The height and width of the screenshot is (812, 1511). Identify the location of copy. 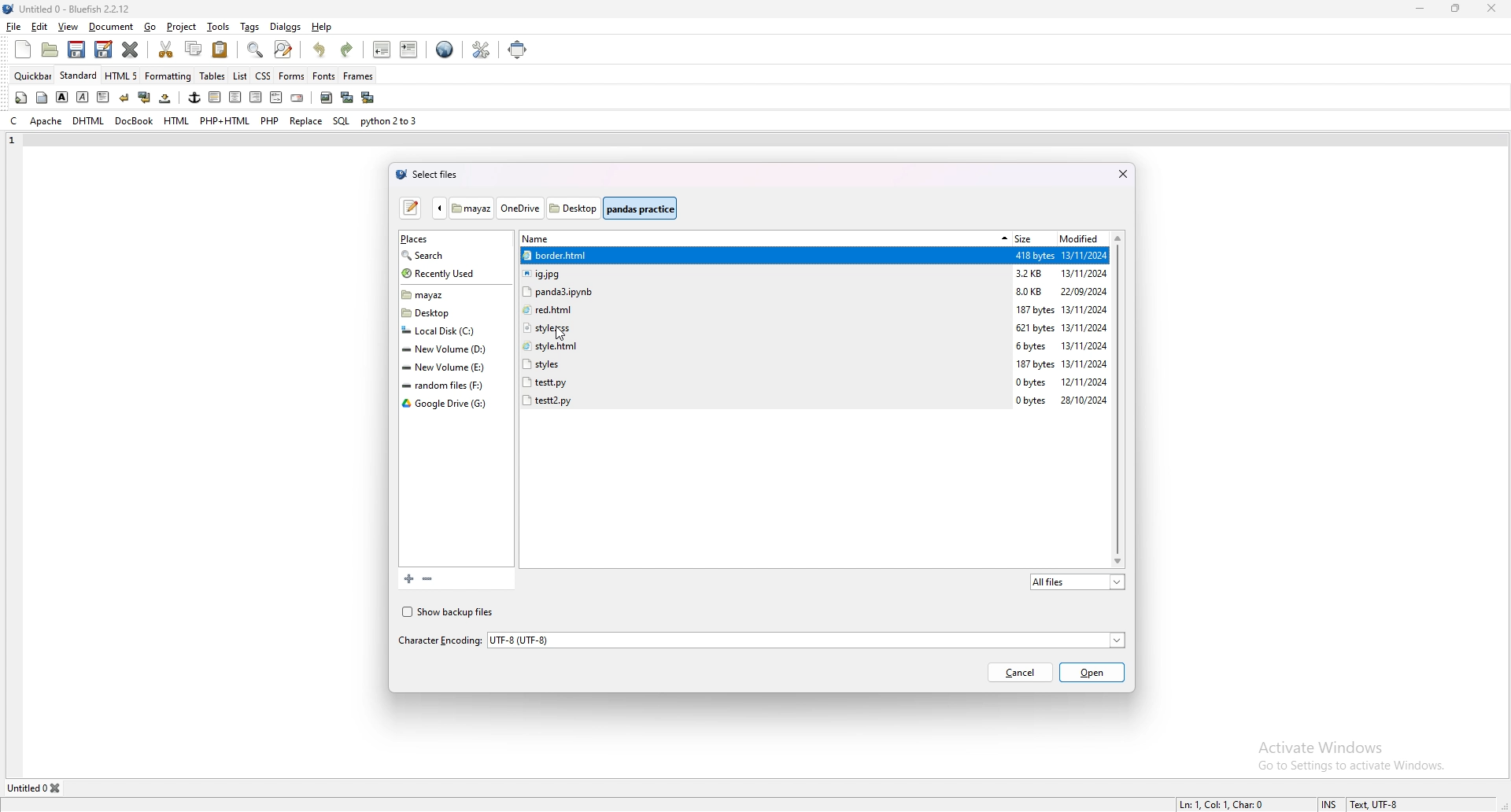
(193, 48).